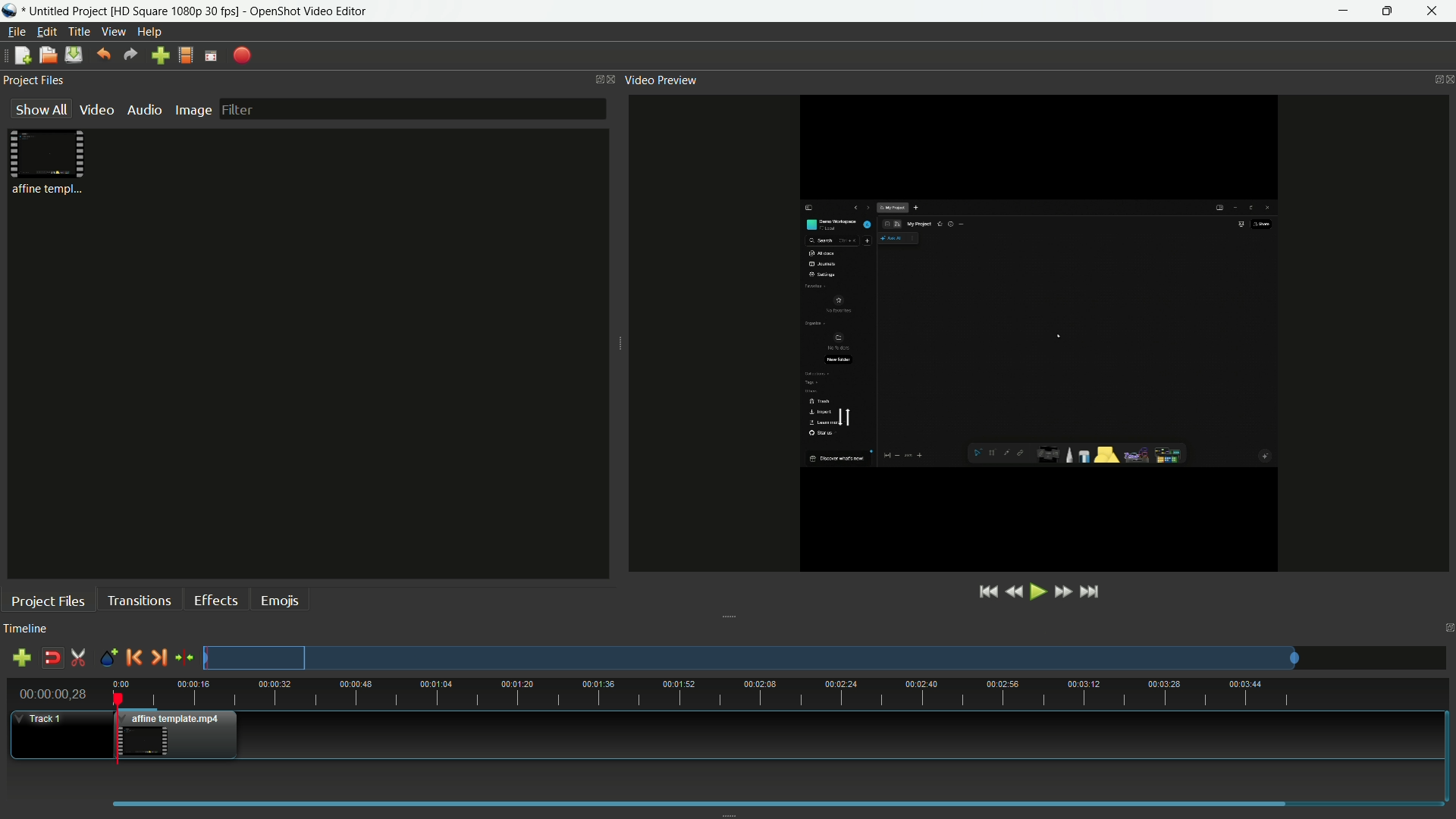 The width and height of the screenshot is (1456, 819). I want to click on edit menu, so click(47, 32).